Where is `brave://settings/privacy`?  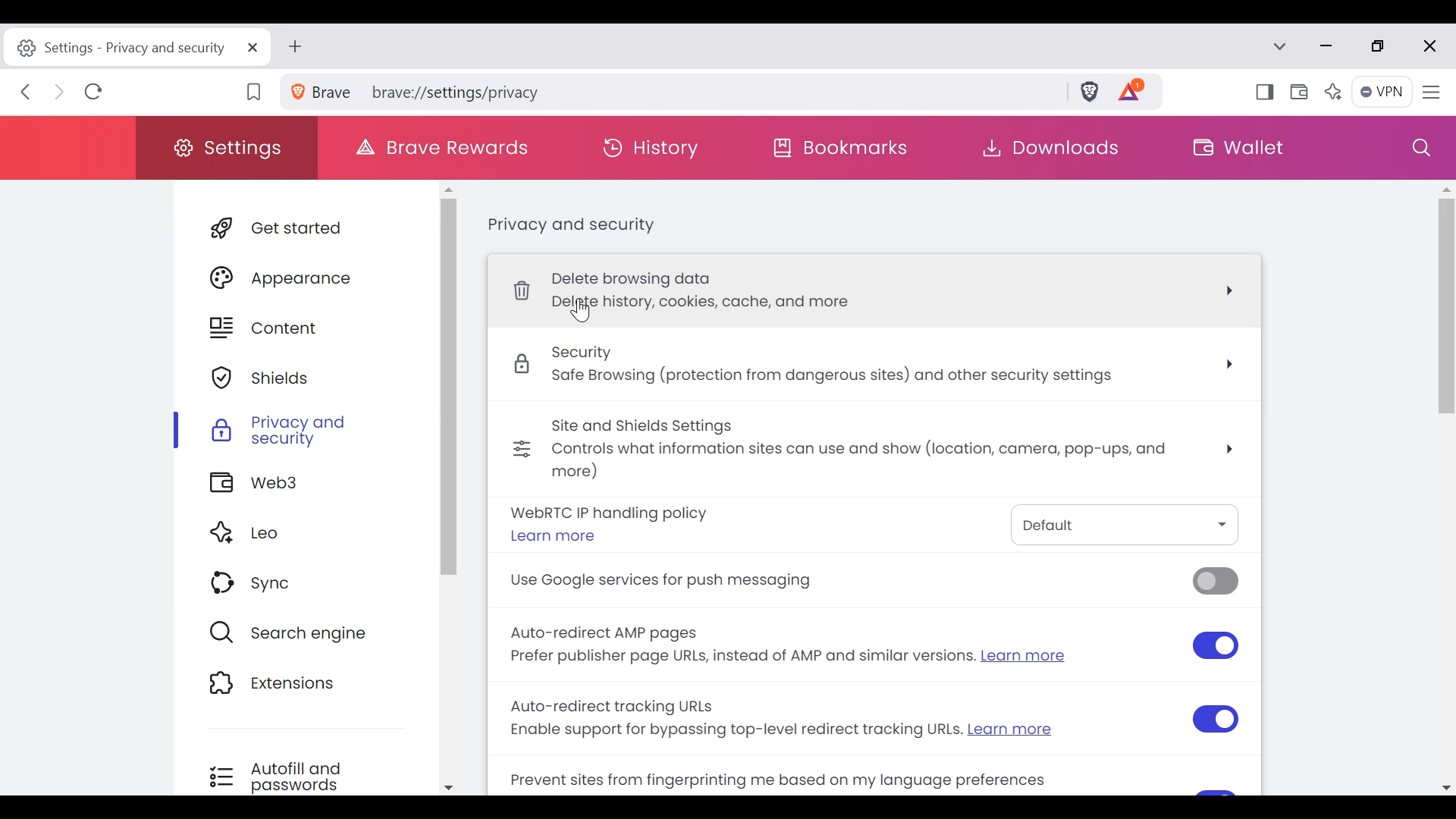 brave://settings/privacy is located at coordinates (672, 91).